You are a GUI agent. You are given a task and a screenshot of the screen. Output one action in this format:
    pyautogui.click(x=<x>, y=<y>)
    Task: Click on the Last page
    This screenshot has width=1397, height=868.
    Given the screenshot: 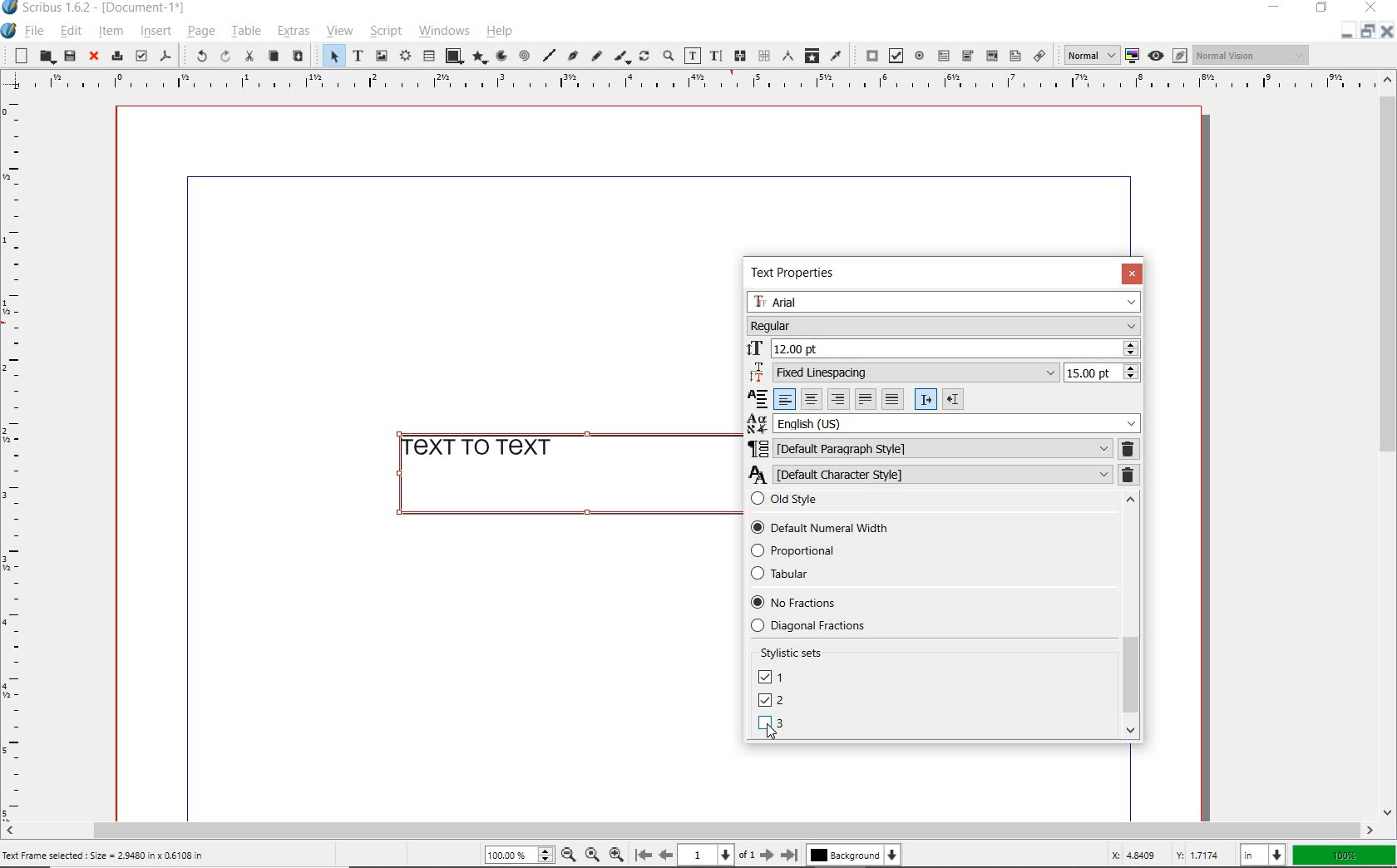 What is the action you would take?
    pyautogui.click(x=787, y=855)
    